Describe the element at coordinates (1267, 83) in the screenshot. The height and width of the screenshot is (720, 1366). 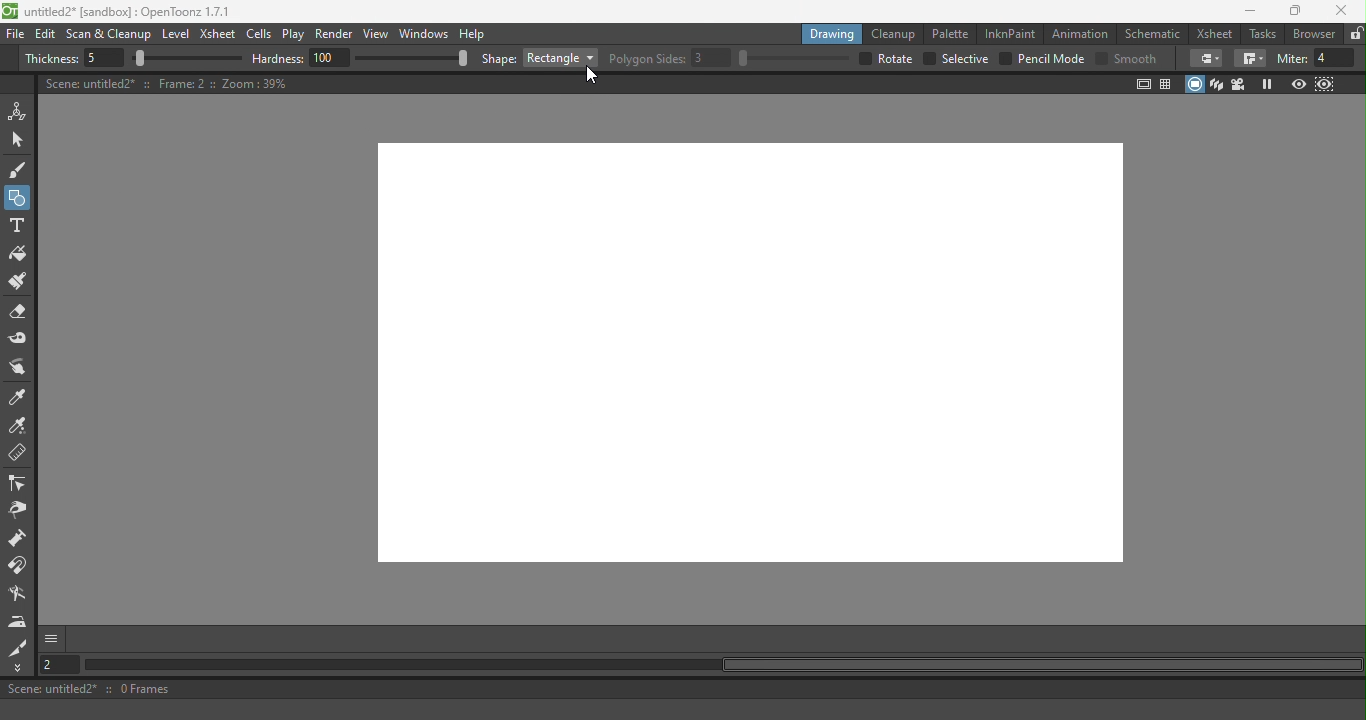
I see `Freeze` at that location.